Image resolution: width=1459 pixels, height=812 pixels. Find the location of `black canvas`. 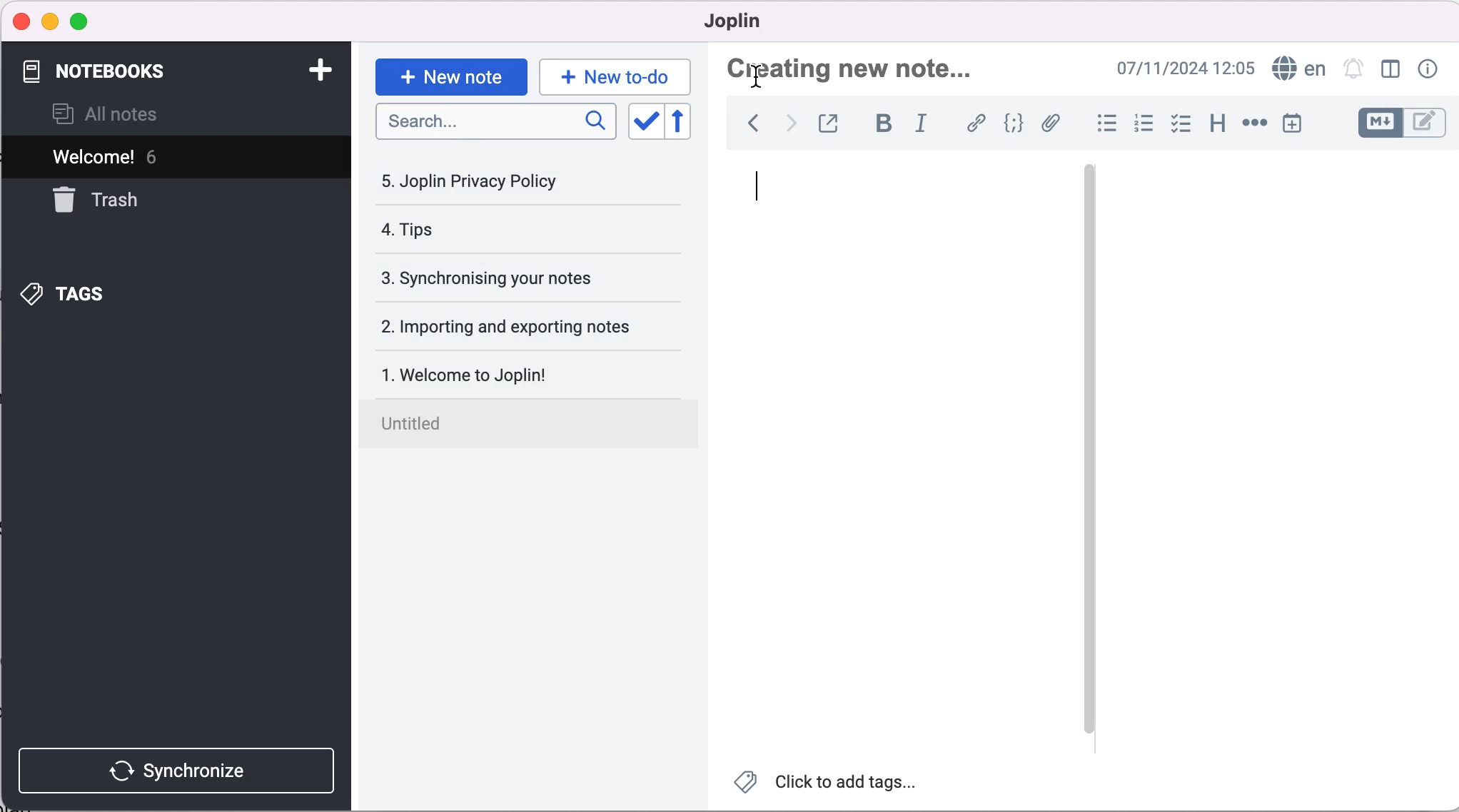

black canvas is located at coordinates (902, 446).